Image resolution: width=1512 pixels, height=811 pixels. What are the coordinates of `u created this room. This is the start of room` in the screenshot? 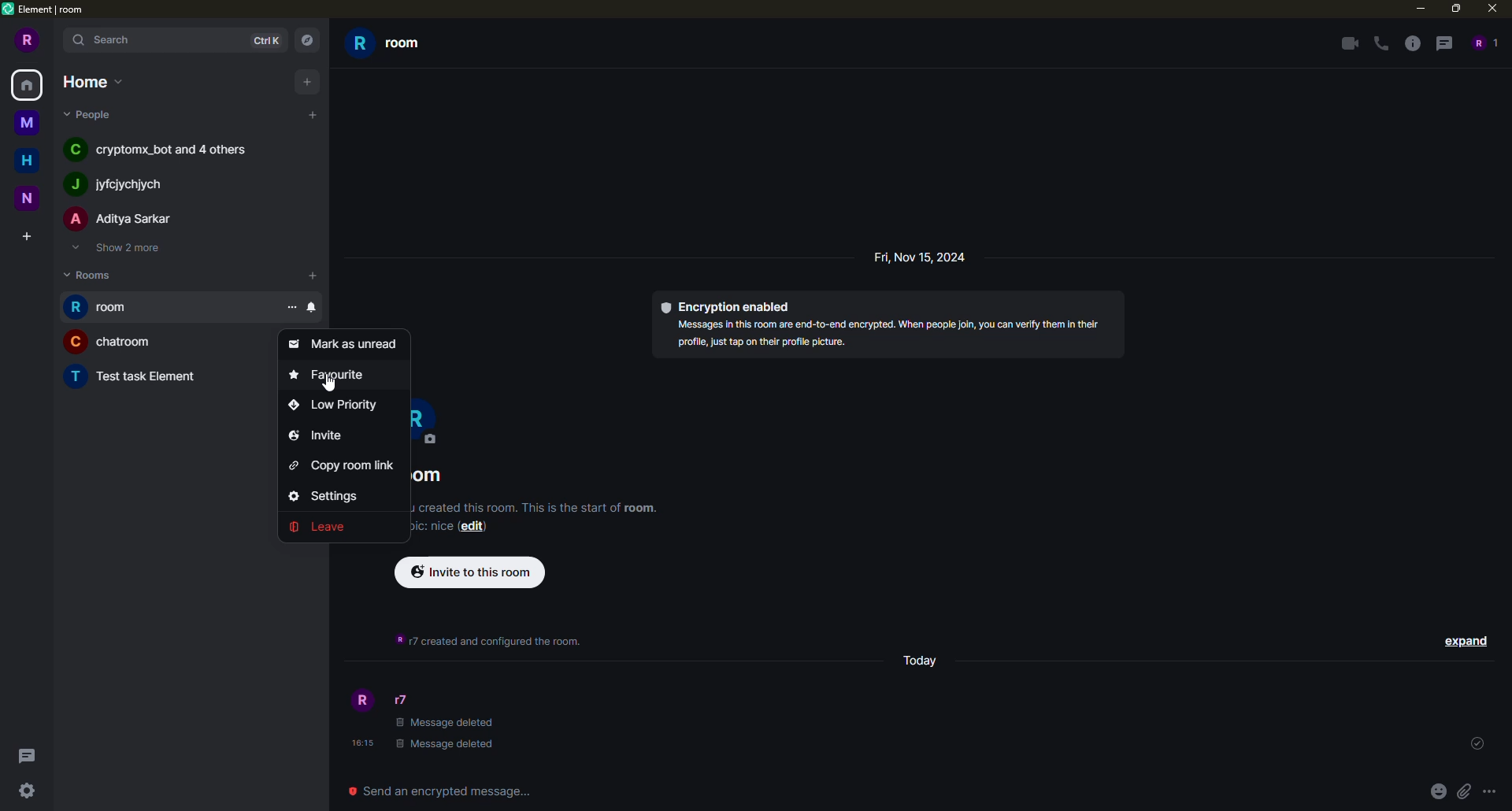 It's located at (530, 509).